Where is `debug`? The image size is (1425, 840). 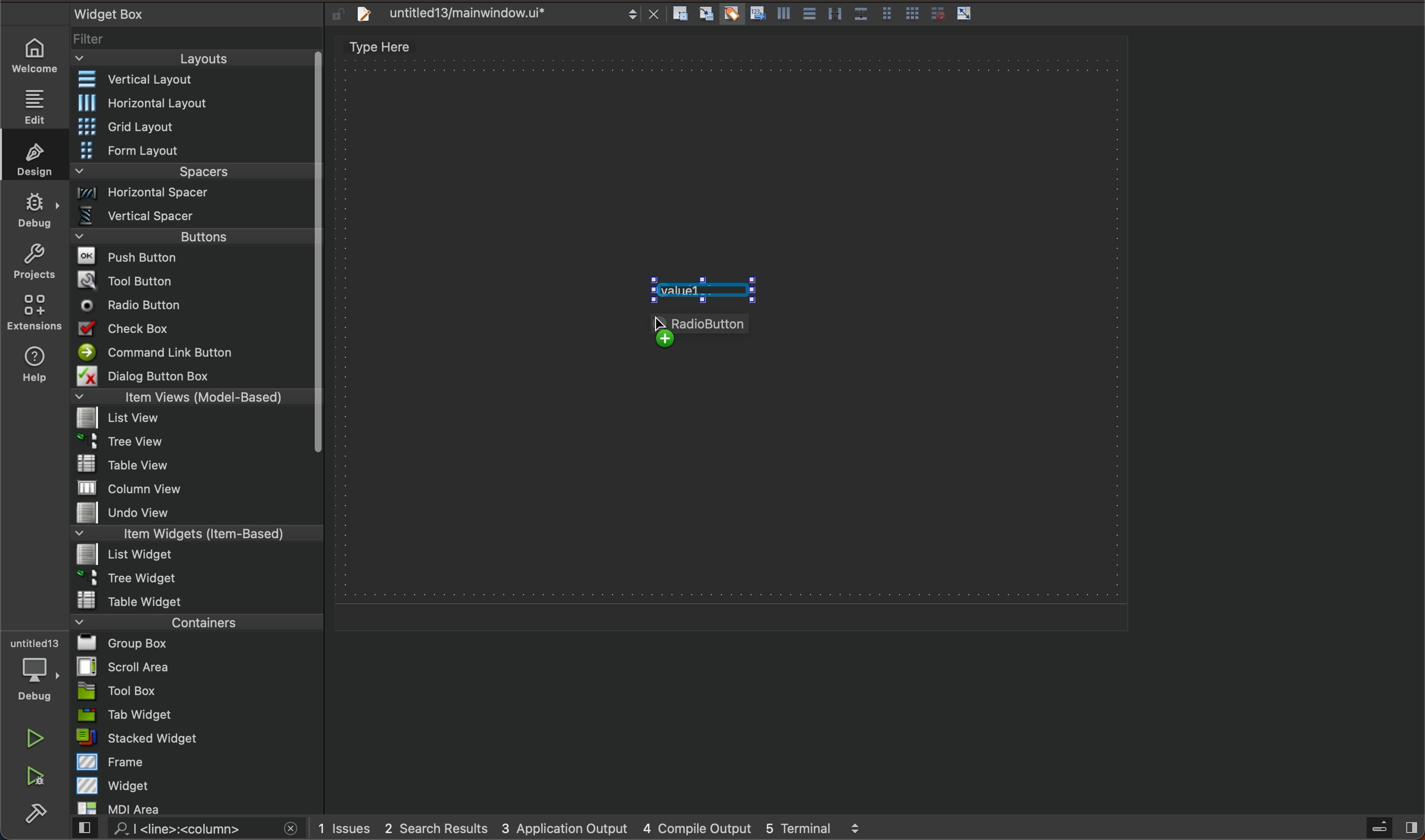 debug is located at coordinates (41, 671).